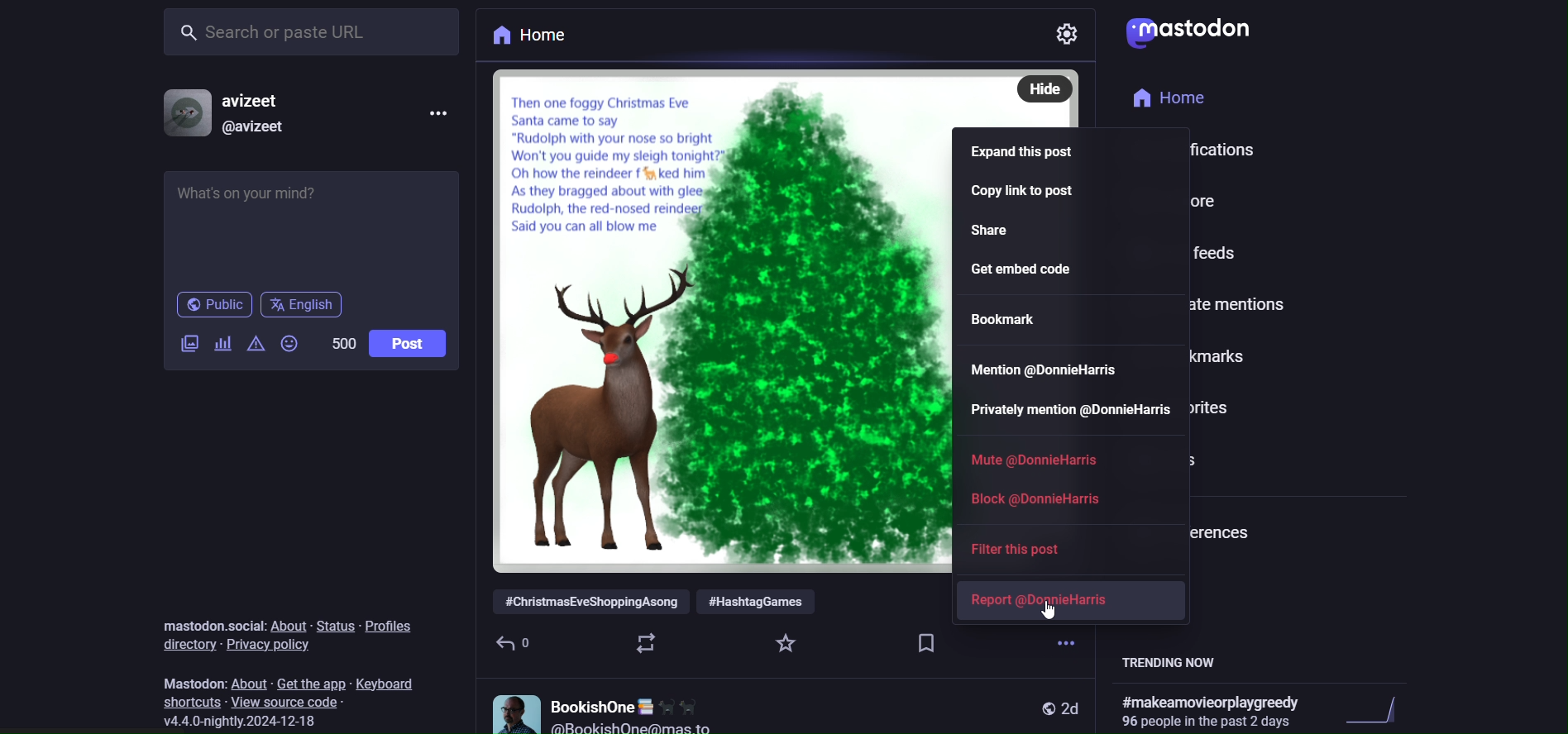 The width and height of the screenshot is (1568, 734). What do you see at coordinates (1062, 633) in the screenshot?
I see `more` at bounding box center [1062, 633].